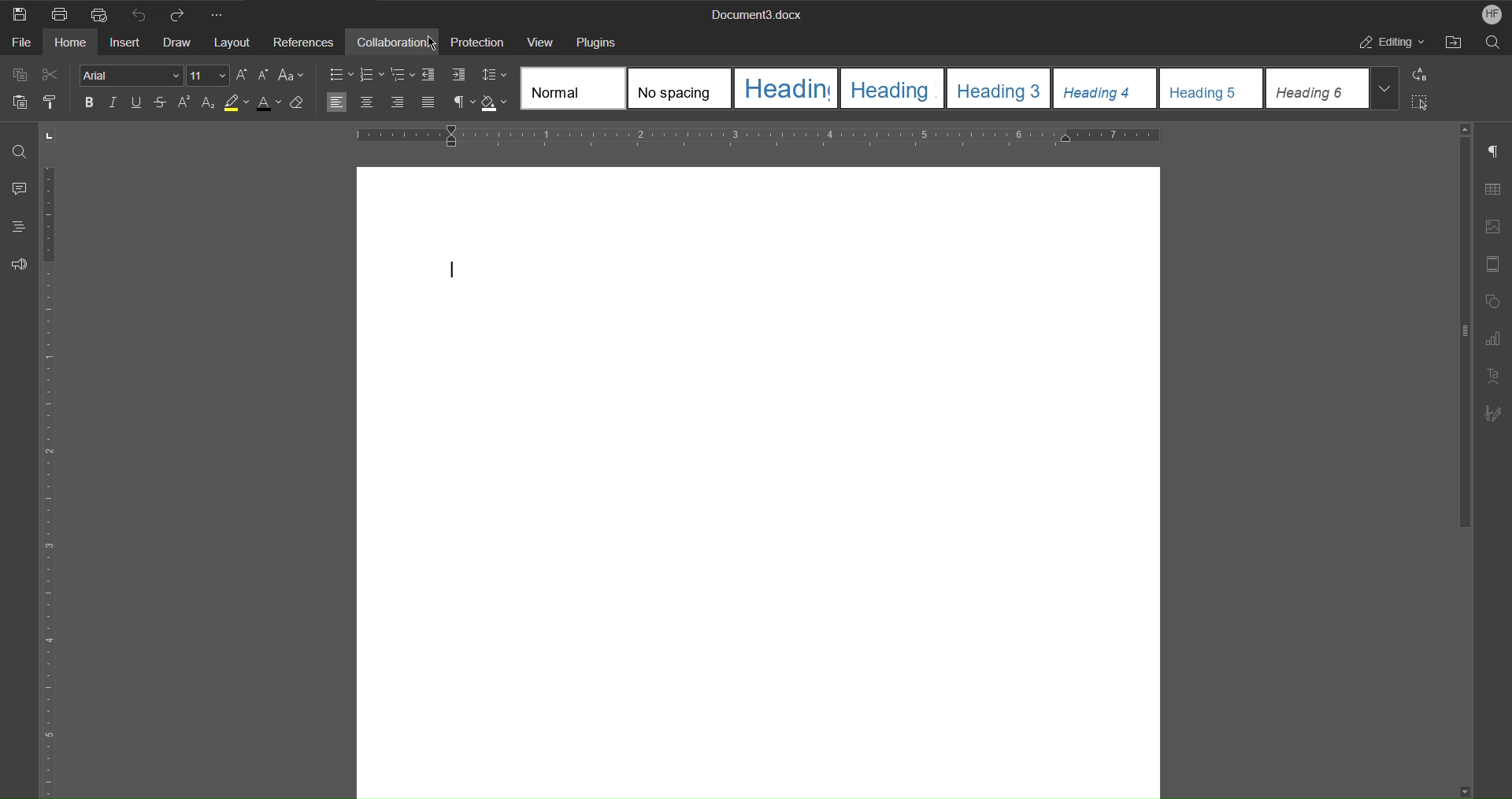 This screenshot has height=799, width=1512. What do you see at coordinates (264, 75) in the screenshot?
I see `Decrease Size` at bounding box center [264, 75].